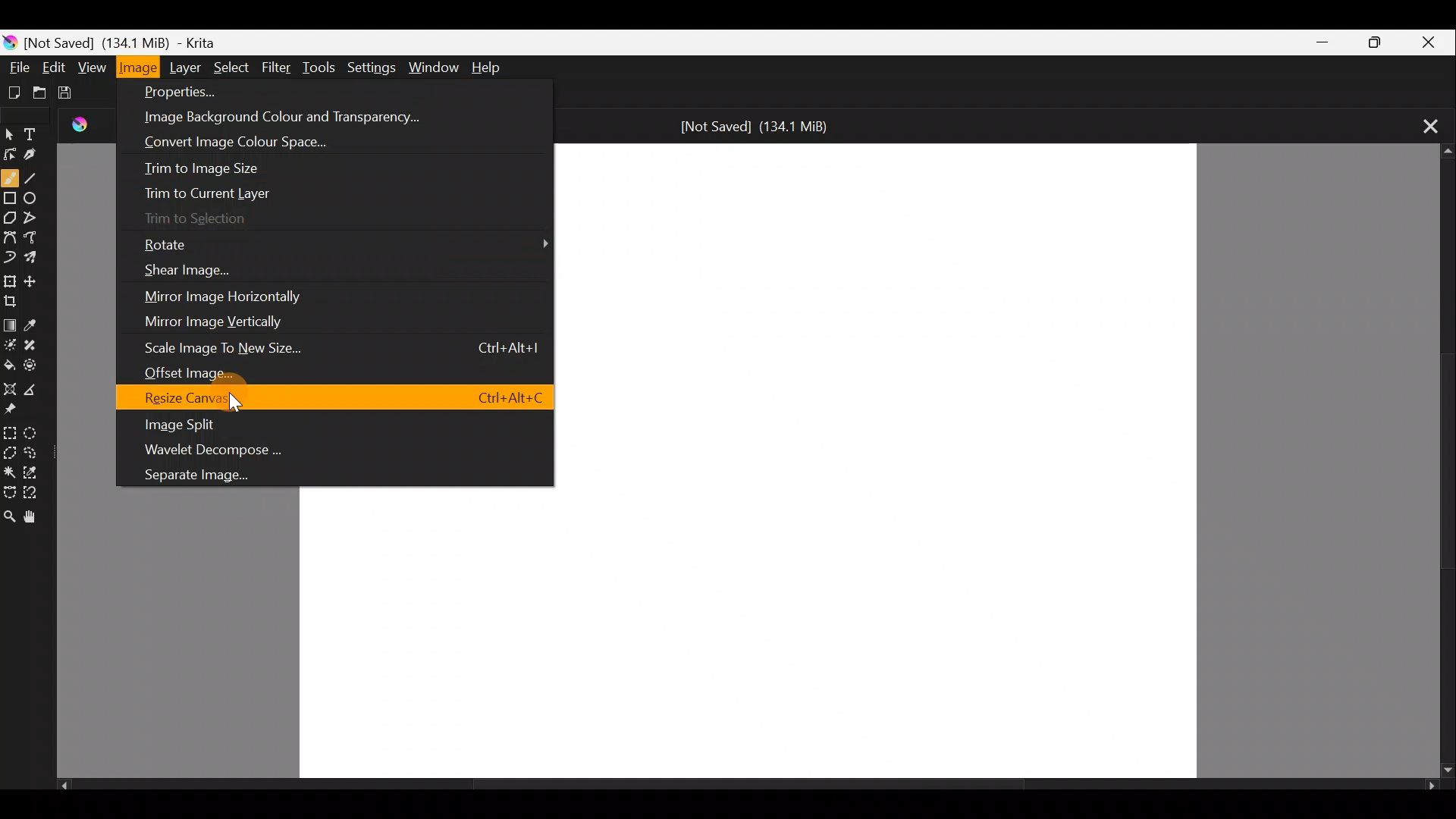  Describe the element at coordinates (12, 342) in the screenshot. I see `Colourise mask tool` at that location.